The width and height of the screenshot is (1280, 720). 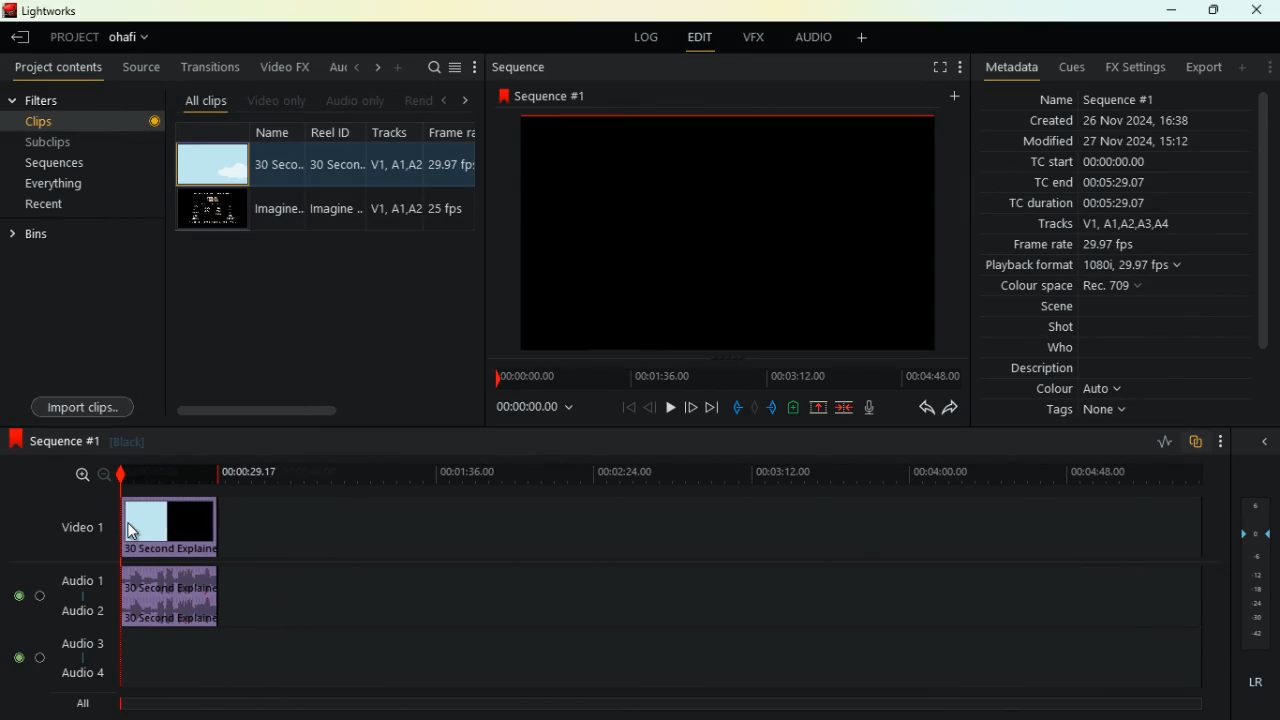 What do you see at coordinates (419, 100) in the screenshot?
I see `rend` at bounding box center [419, 100].